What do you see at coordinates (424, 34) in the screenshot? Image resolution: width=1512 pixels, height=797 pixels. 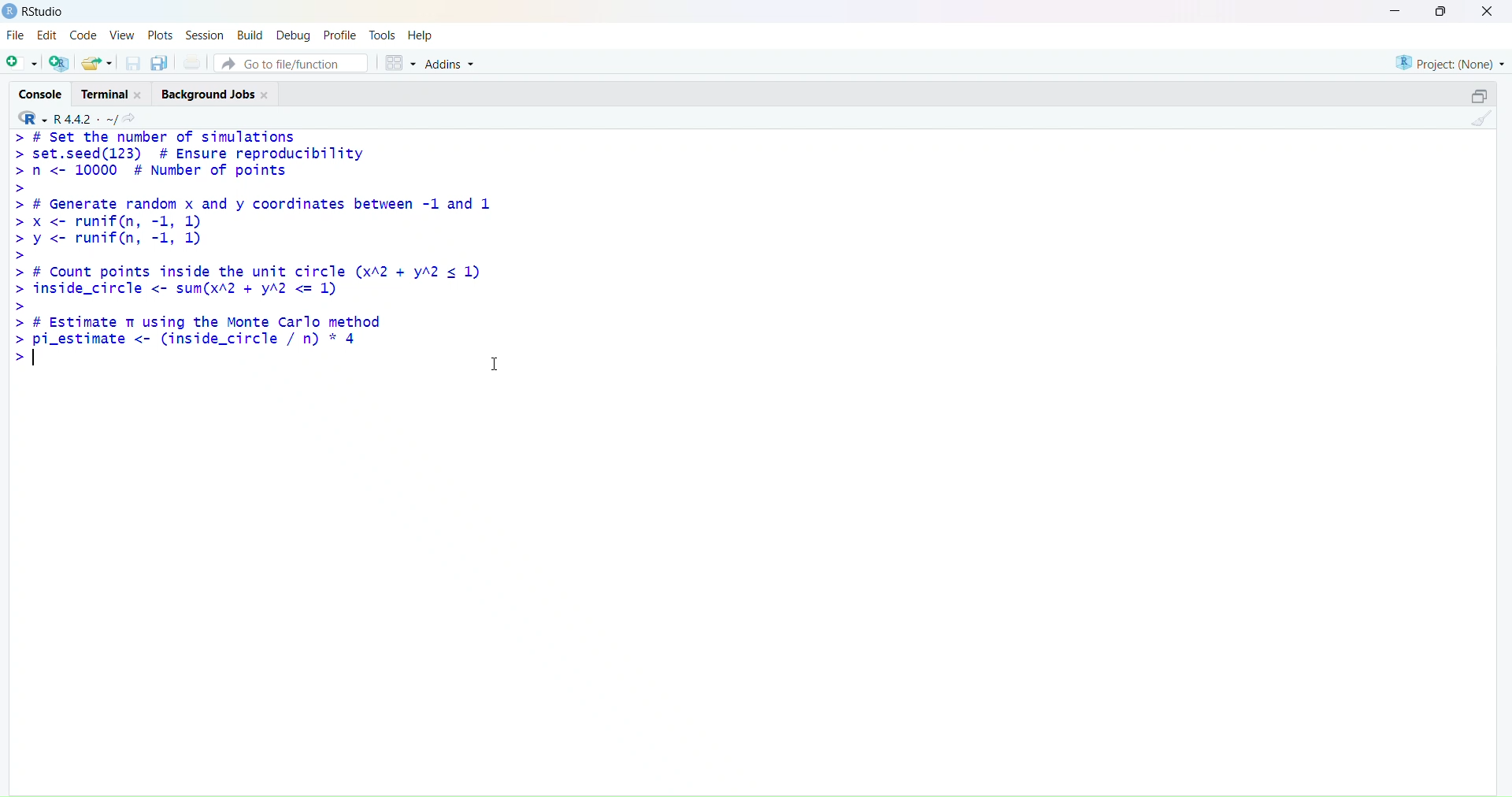 I see `Help` at bounding box center [424, 34].